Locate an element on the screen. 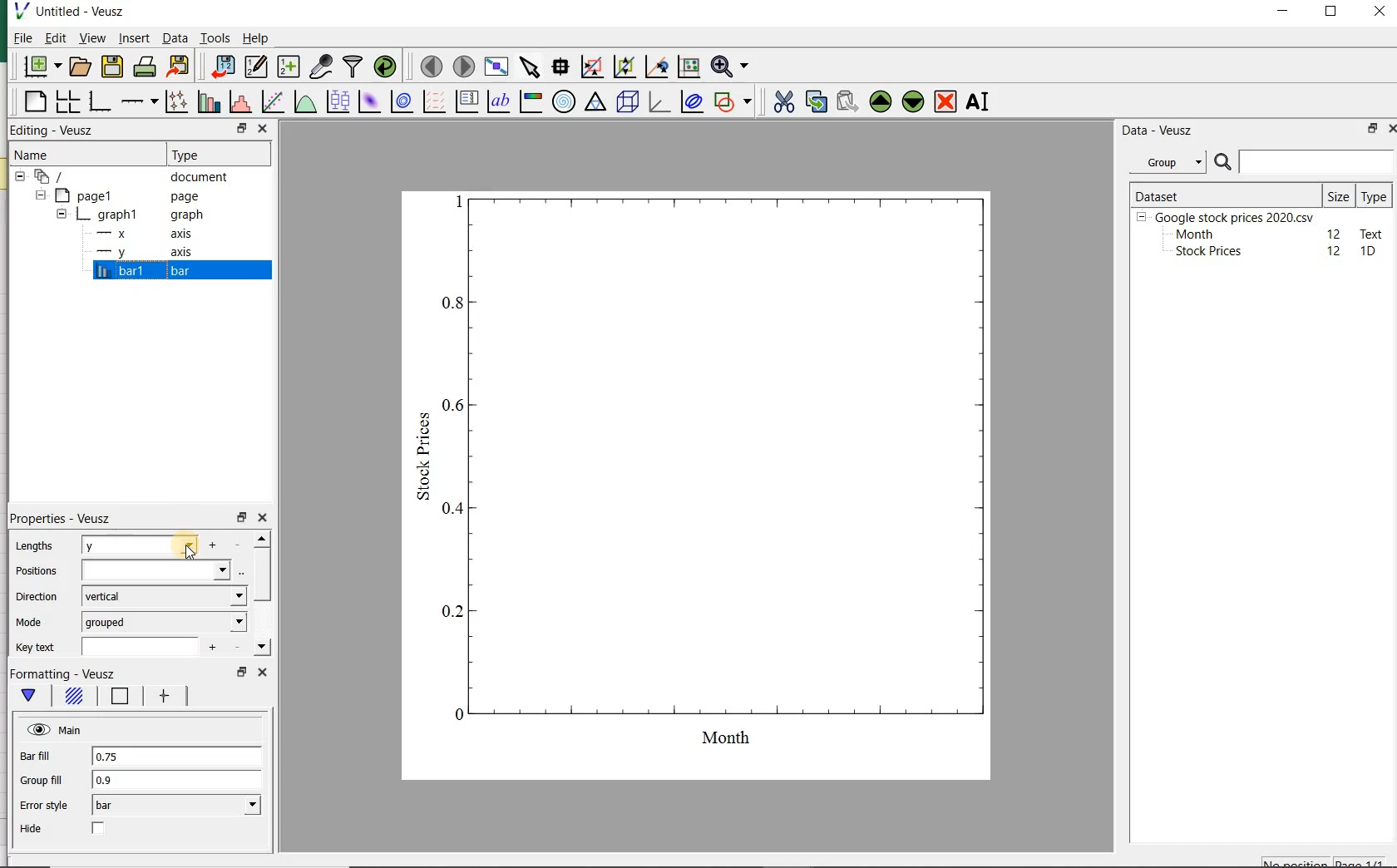 This screenshot has width=1397, height=868. arrange graphs in a grid is located at coordinates (66, 102).